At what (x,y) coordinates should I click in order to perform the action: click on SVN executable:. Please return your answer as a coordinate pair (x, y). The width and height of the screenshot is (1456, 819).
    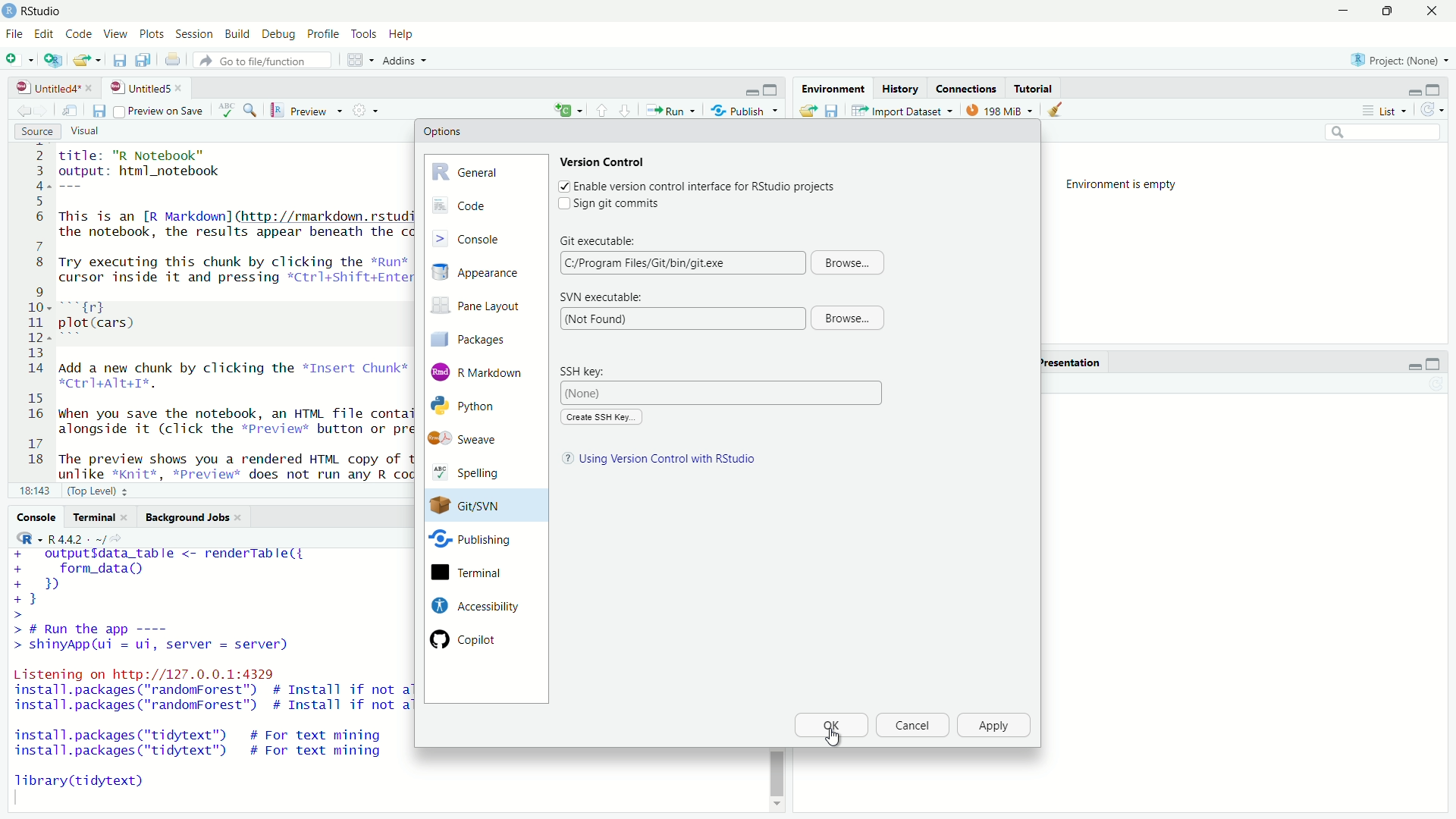
    Looking at the image, I should click on (601, 297).